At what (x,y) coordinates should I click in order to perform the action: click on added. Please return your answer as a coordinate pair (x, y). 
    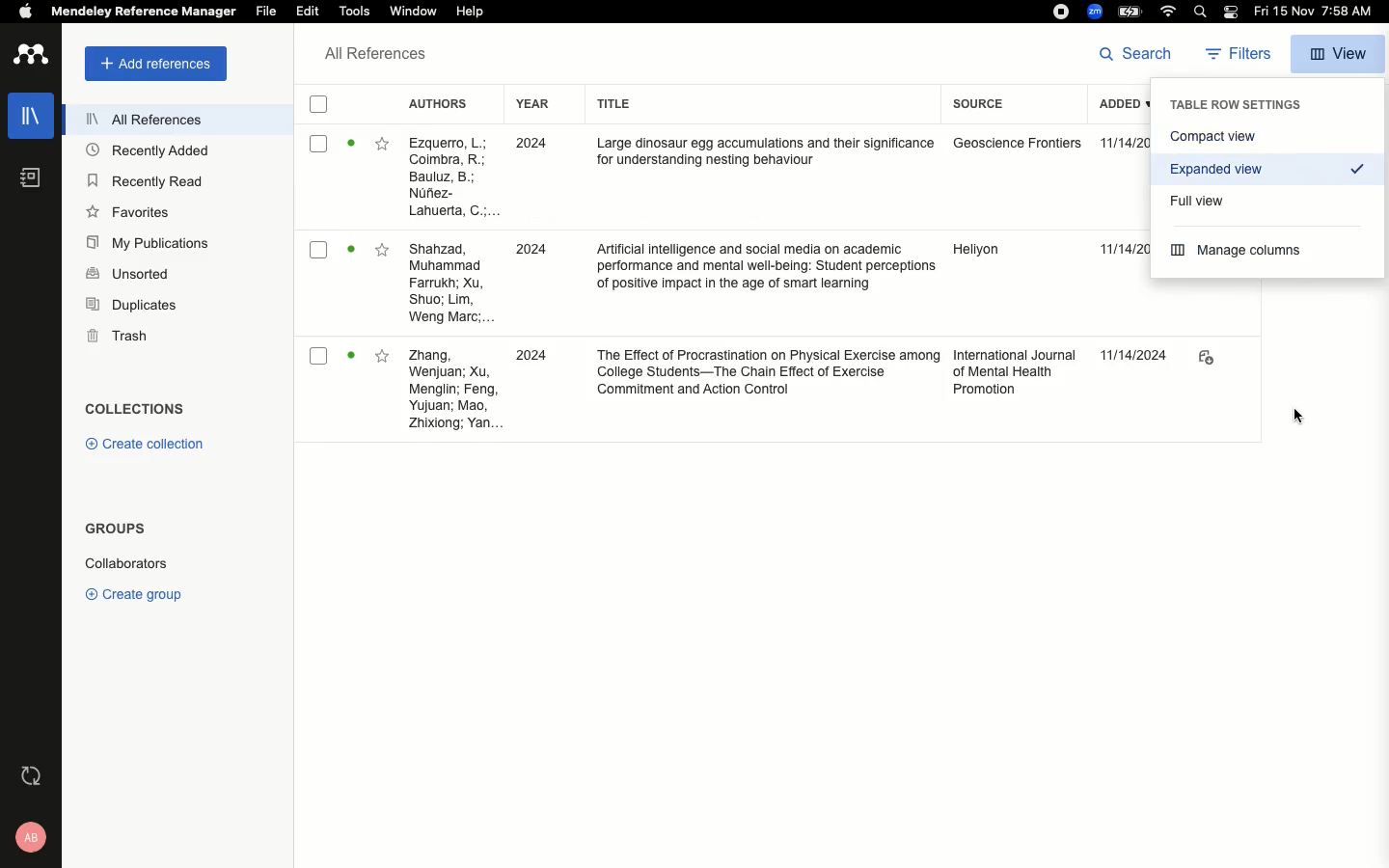
    Looking at the image, I should click on (1103, 106).